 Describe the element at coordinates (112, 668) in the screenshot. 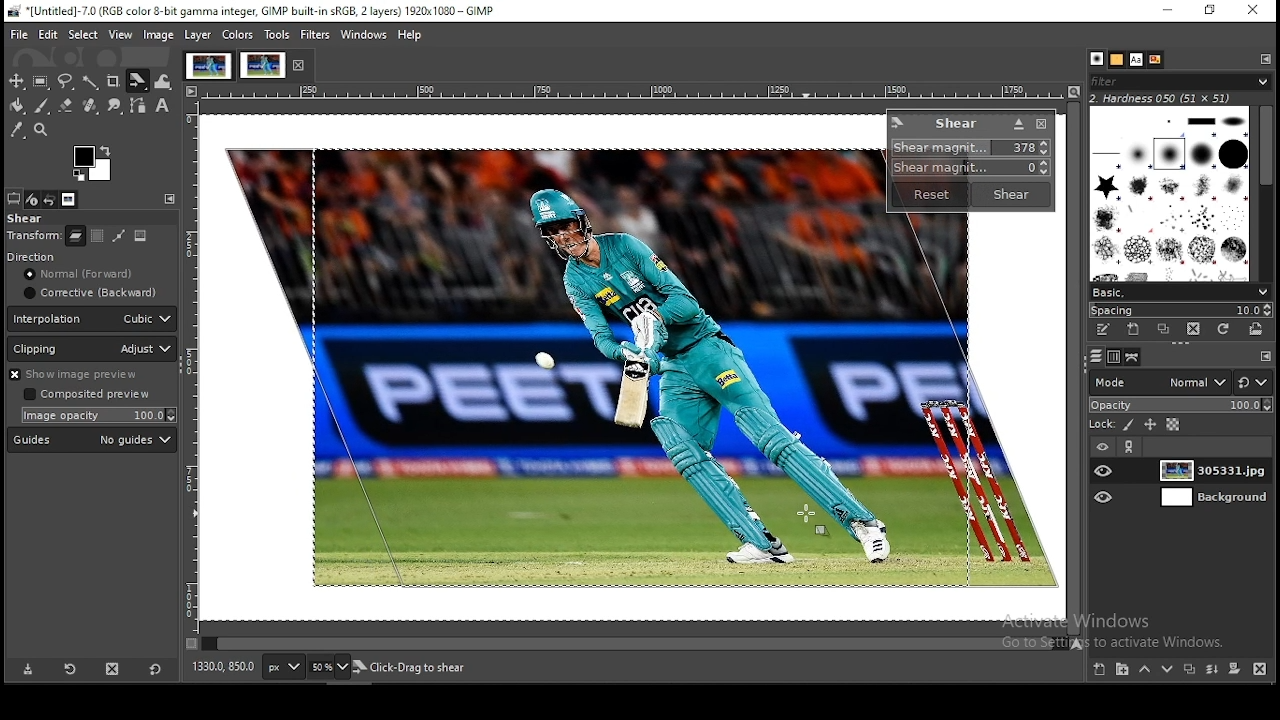

I see `delete this layer` at that location.